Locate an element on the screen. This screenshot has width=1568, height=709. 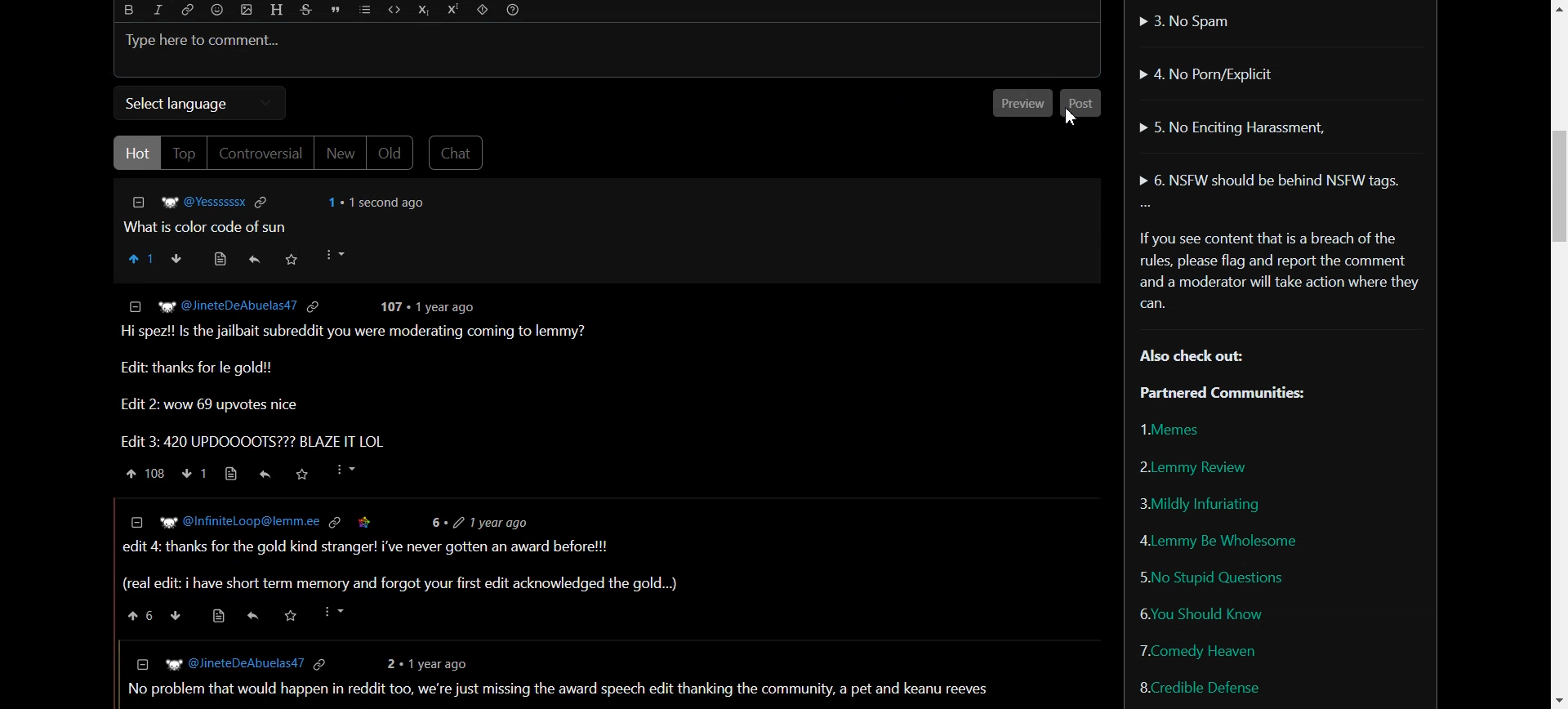
No Porn/Explicit is located at coordinates (1209, 74).